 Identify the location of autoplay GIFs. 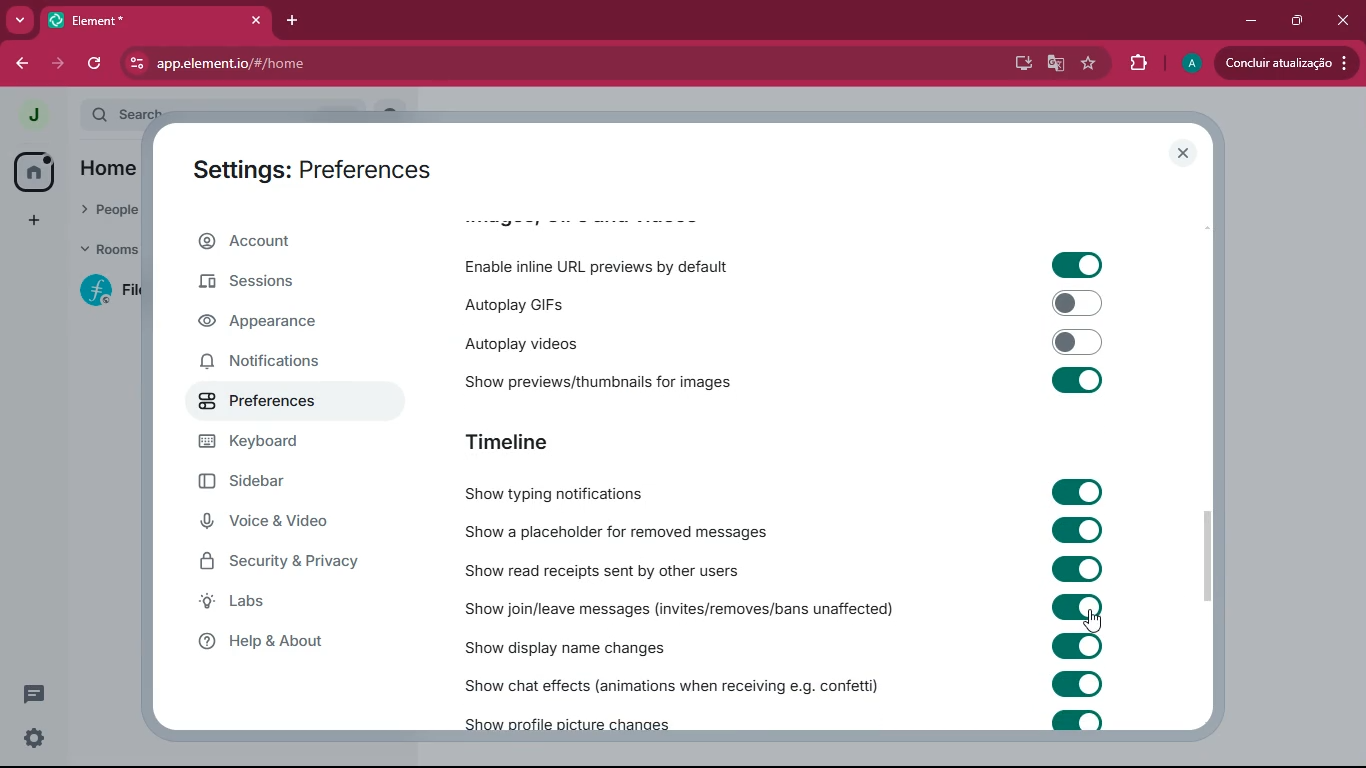
(558, 303).